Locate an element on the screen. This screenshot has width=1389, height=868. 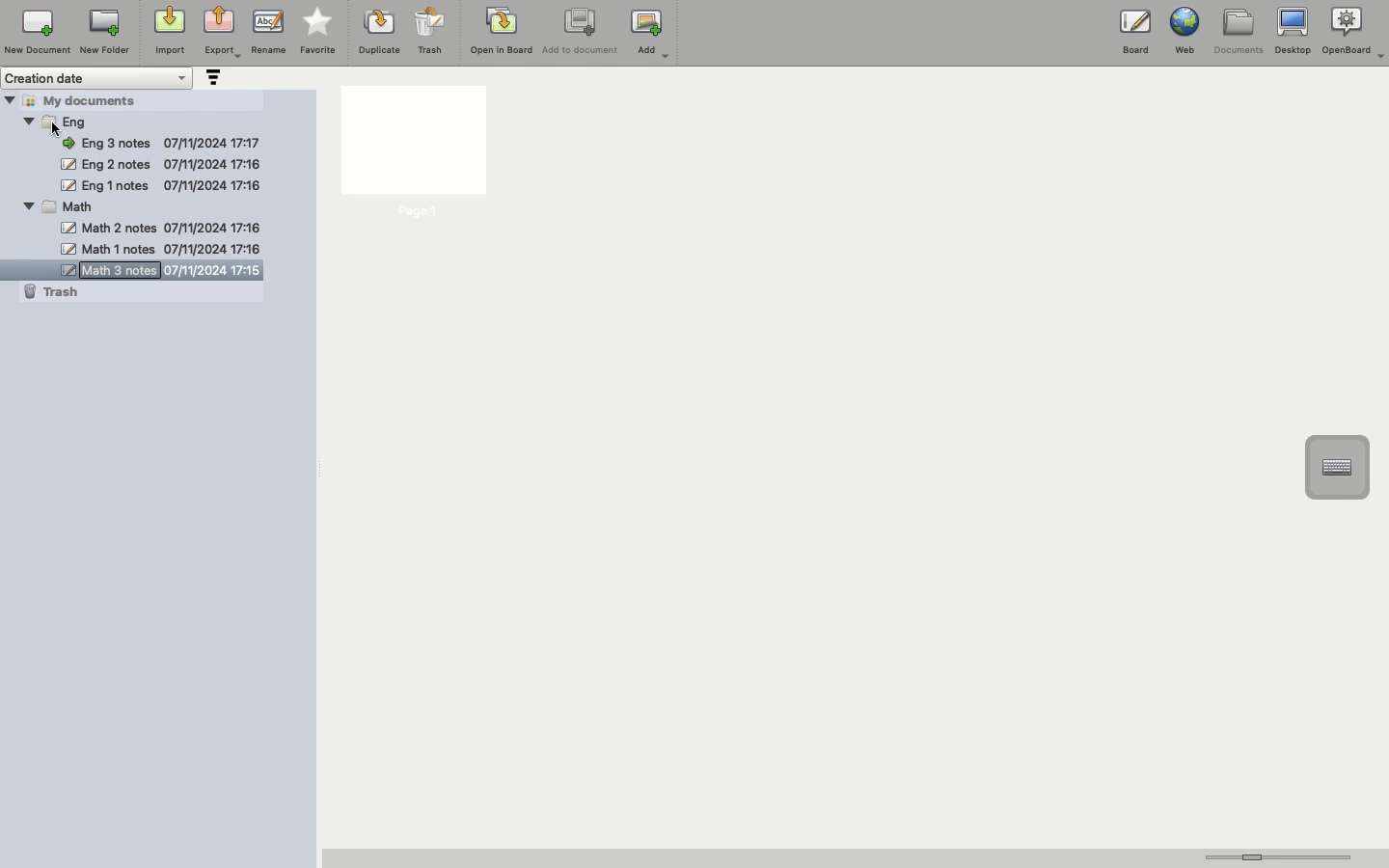
Rename is located at coordinates (268, 31).